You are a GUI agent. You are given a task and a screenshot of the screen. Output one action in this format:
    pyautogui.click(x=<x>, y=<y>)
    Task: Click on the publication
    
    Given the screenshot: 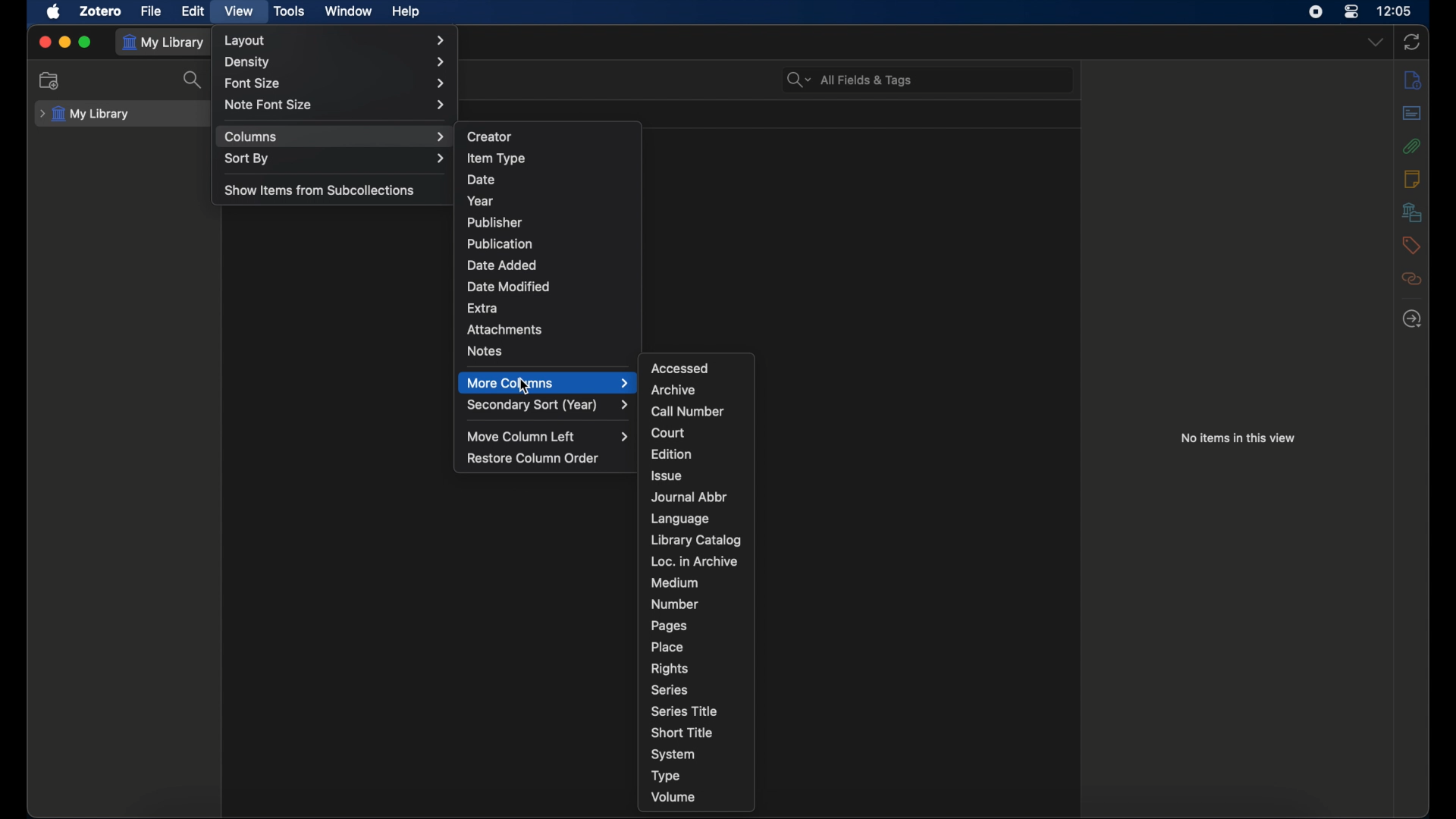 What is the action you would take?
    pyautogui.click(x=499, y=243)
    